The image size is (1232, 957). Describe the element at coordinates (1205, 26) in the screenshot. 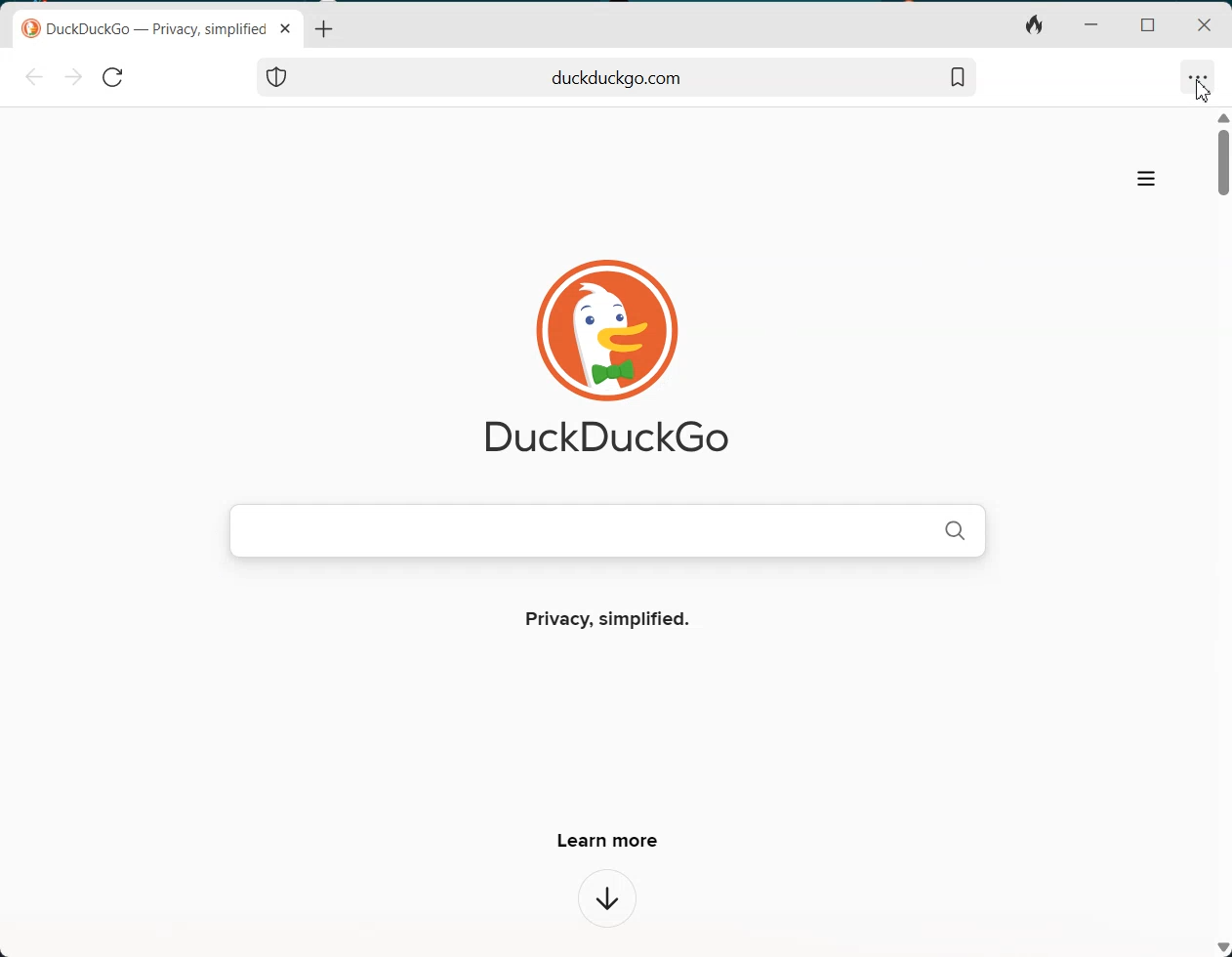

I see `Close` at that location.